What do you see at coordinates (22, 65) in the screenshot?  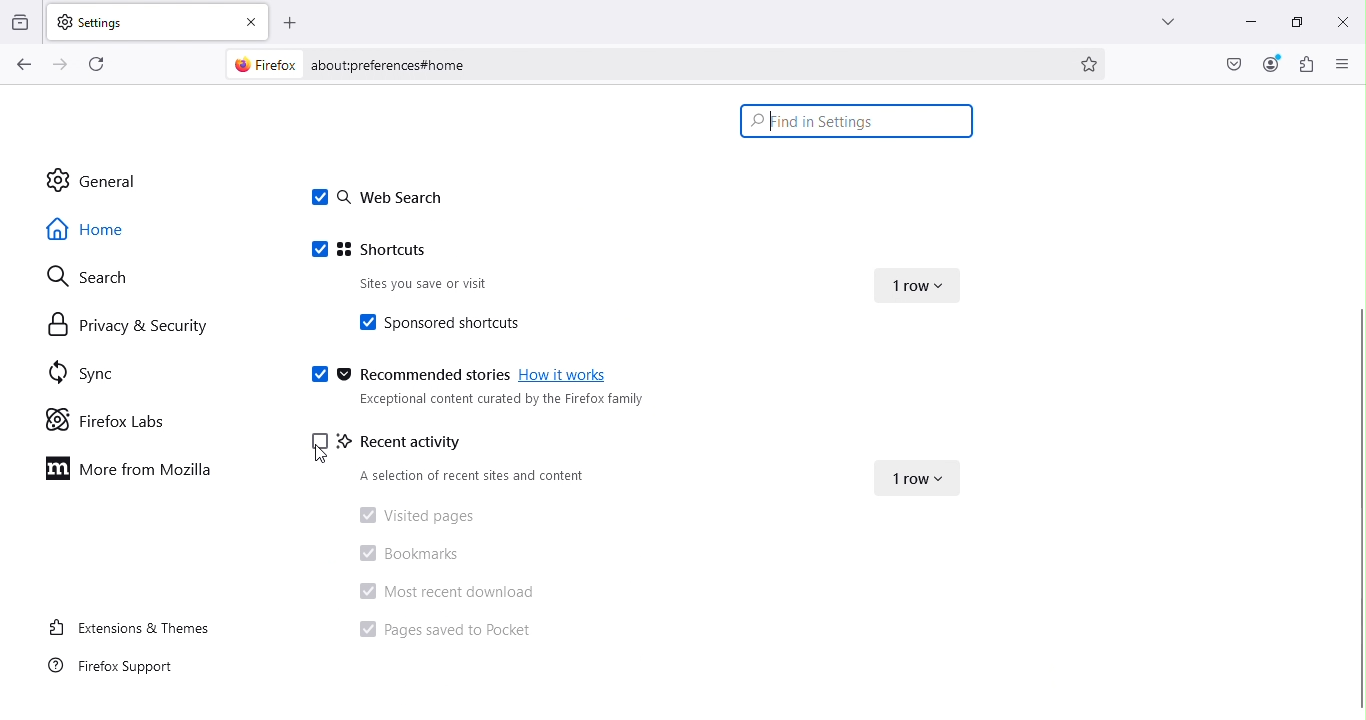 I see `Go back one page` at bounding box center [22, 65].